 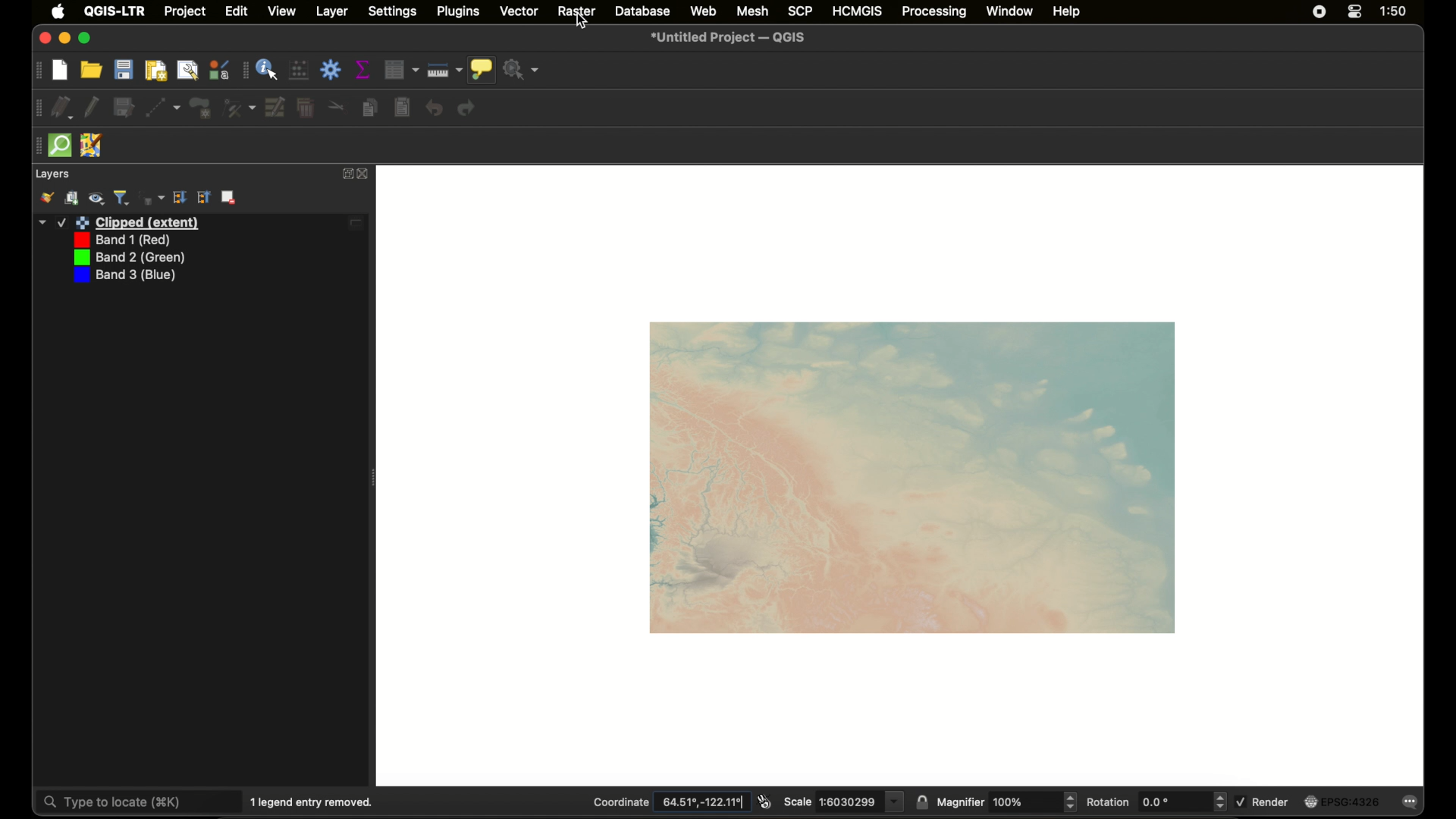 What do you see at coordinates (434, 108) in the screenshot?
I see `undo` at bounding box center [434, 108].